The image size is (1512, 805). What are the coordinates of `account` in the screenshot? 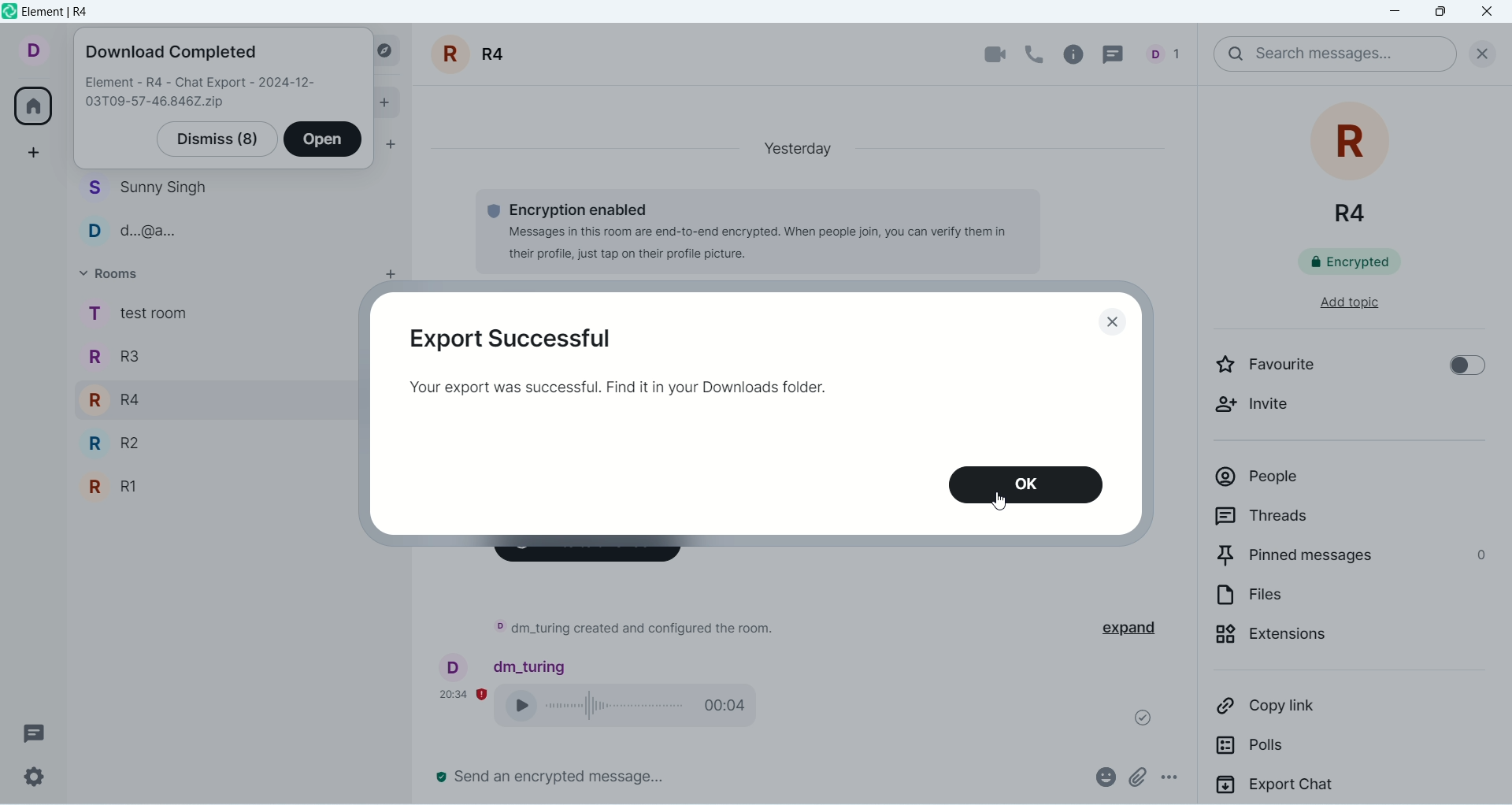 It's located at (31, 49).